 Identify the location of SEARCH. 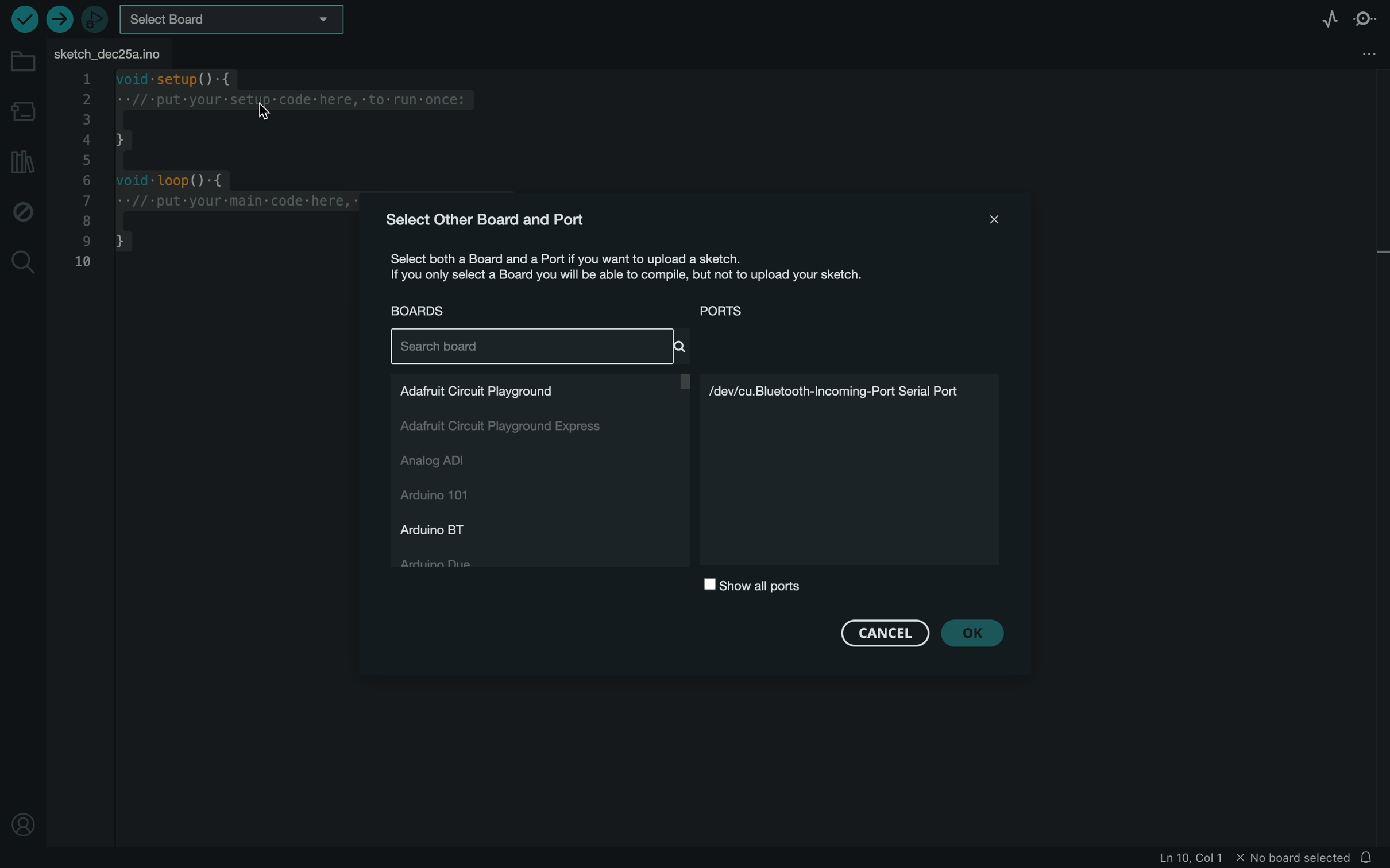
(540, 346).